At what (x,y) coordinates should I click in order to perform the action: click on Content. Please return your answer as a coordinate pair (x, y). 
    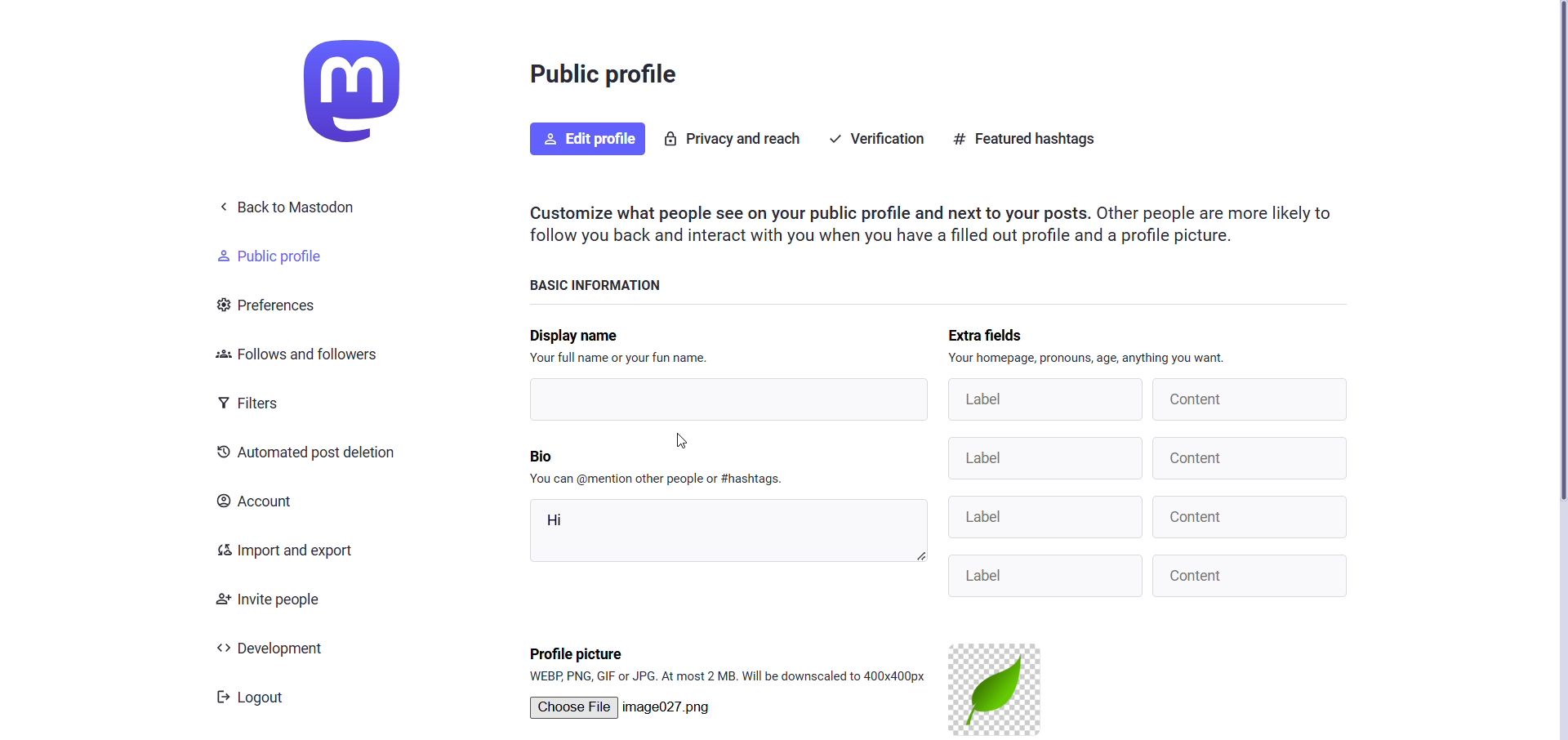
    Looking at the image, I should click on (1251, 457).